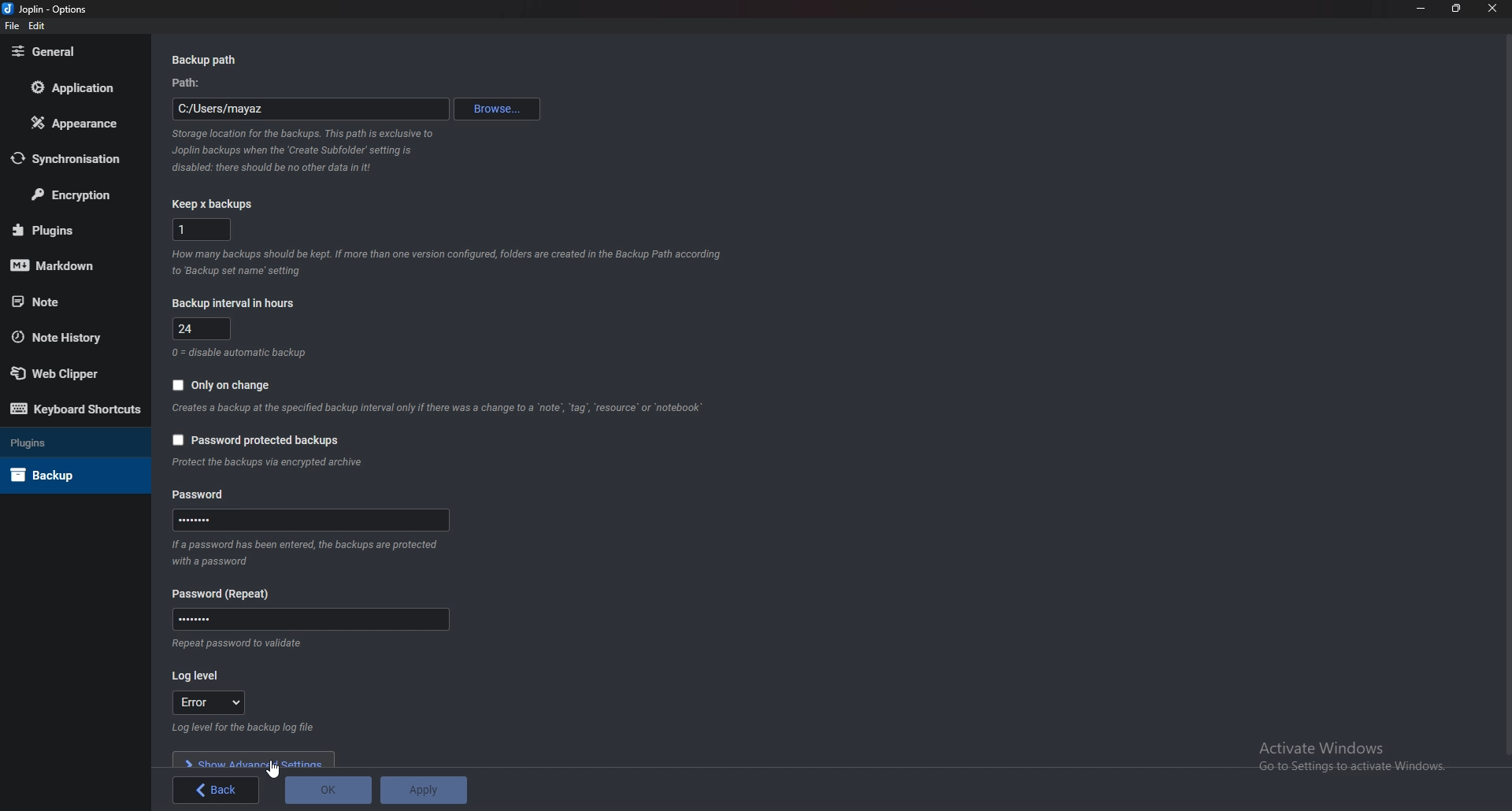 The width and height of the screenshot is (1512, 811). Describe the element at coordinates (224, 383) in the screenshot. I see `Only on change` at that location.